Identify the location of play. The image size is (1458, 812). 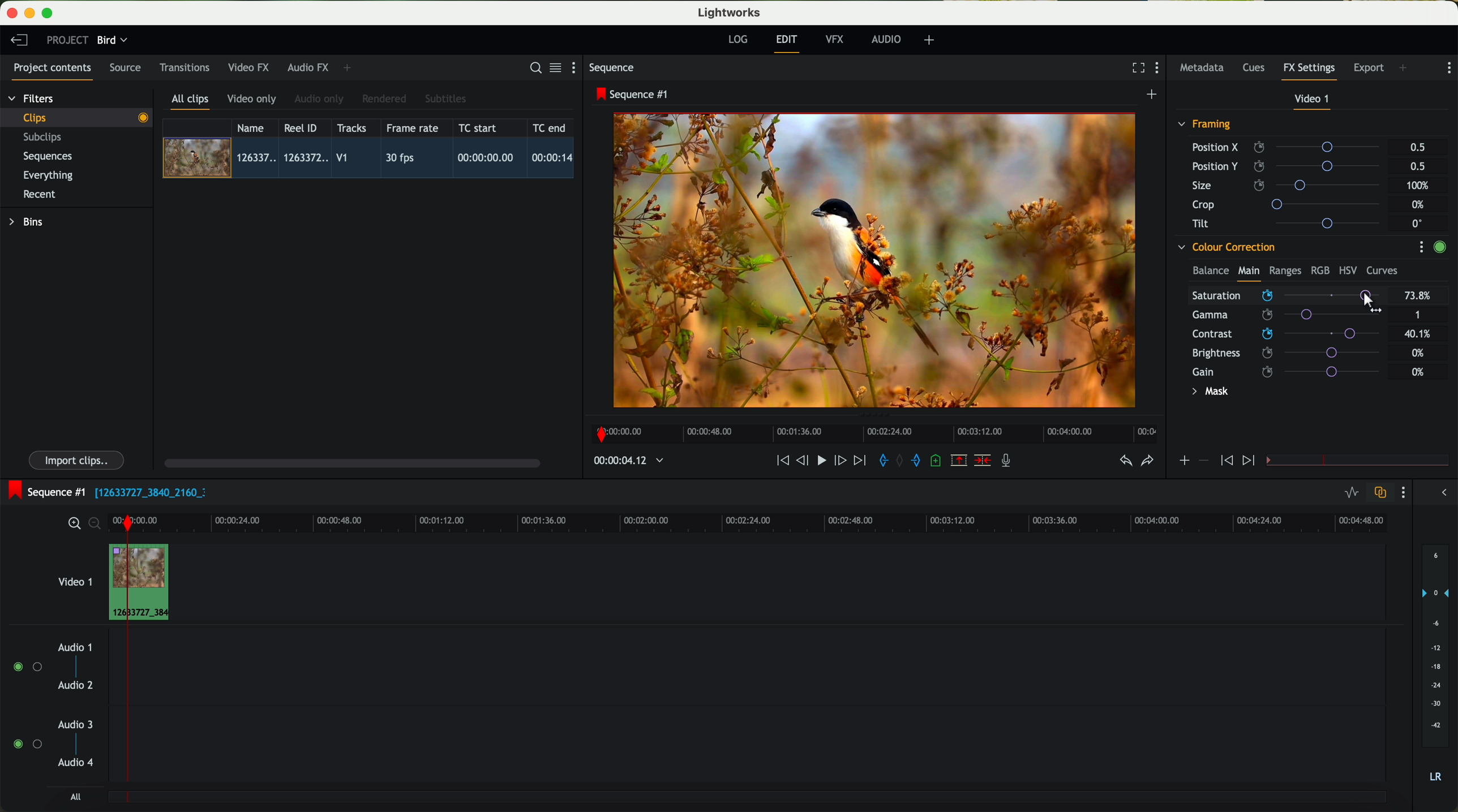
(821, 459).